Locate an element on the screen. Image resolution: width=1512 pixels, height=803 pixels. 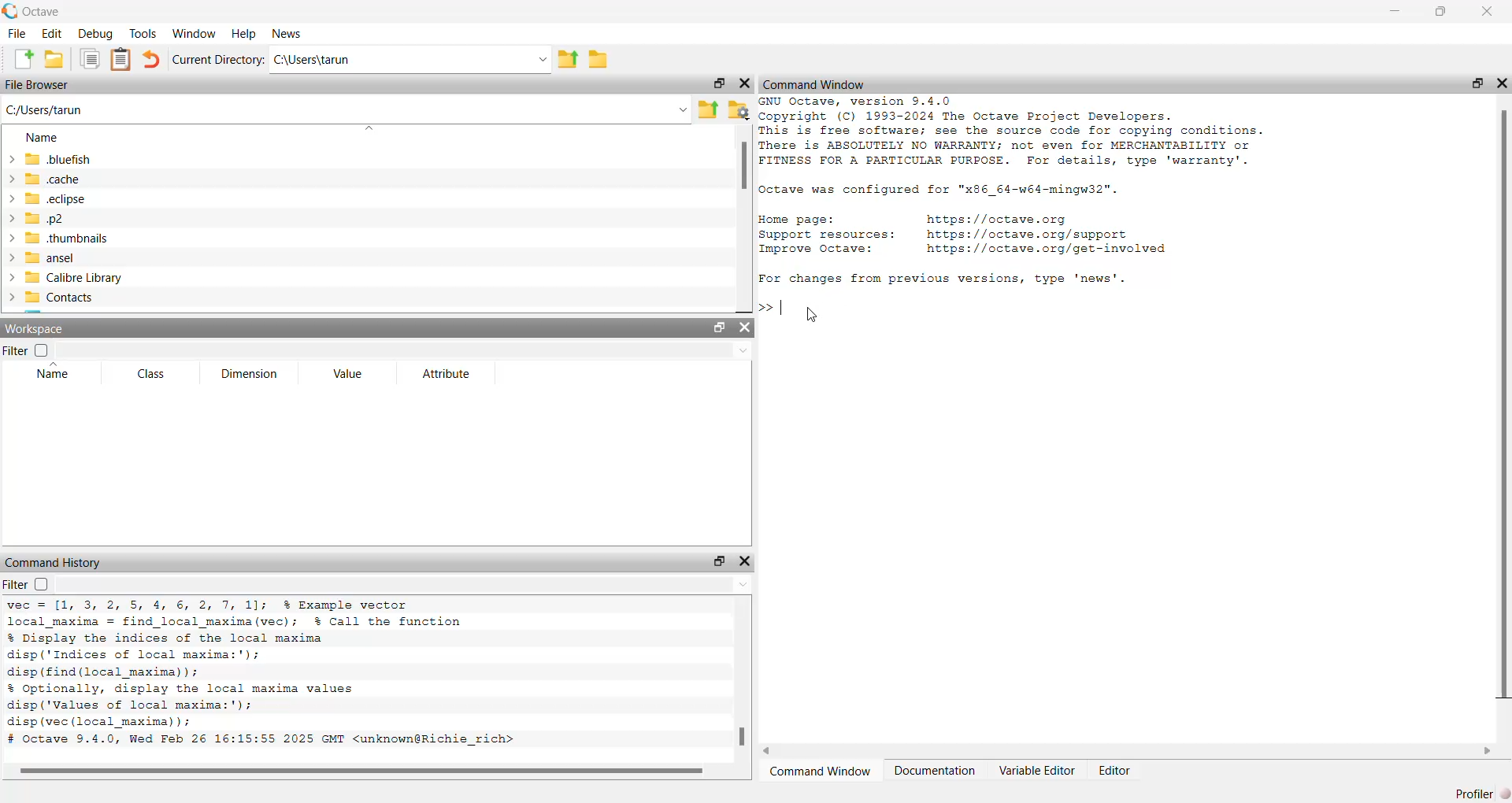
Enter directory name is located at coordinates (543, 58).